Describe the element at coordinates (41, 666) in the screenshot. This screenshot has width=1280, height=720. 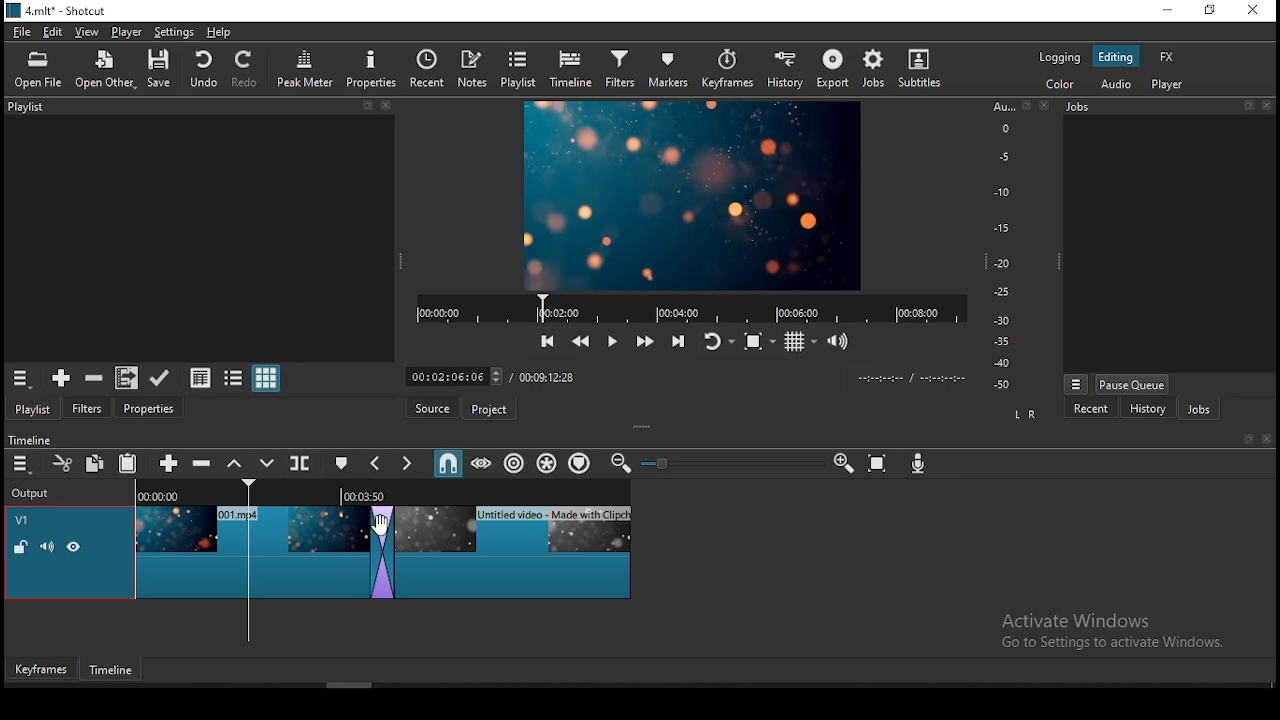
I see `keyframes` at that location.